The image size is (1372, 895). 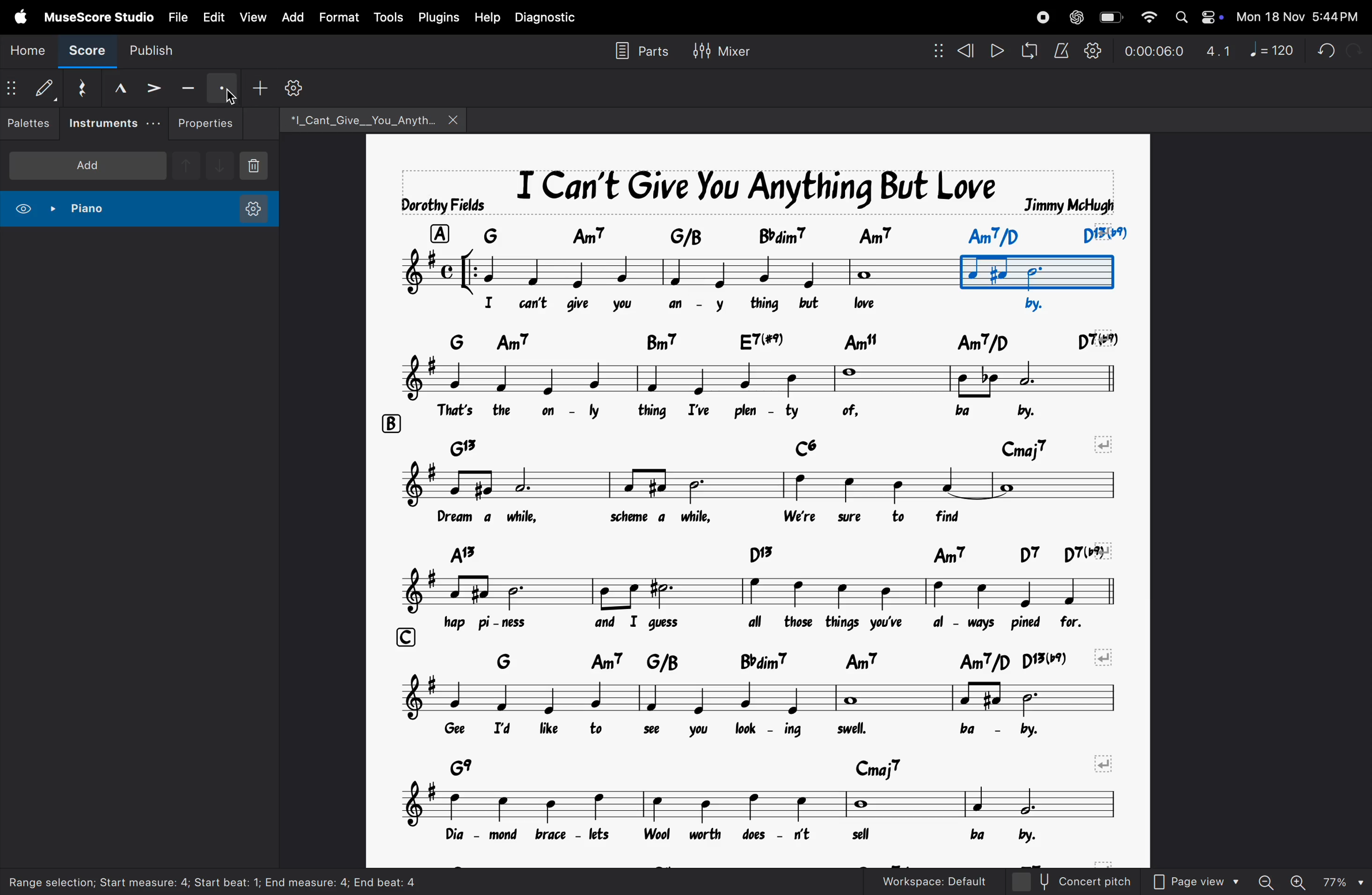 What do you see at coordinates (1071, 881) in the screenshot?
I see `concert pitch` at bounding box center [1071, 881].